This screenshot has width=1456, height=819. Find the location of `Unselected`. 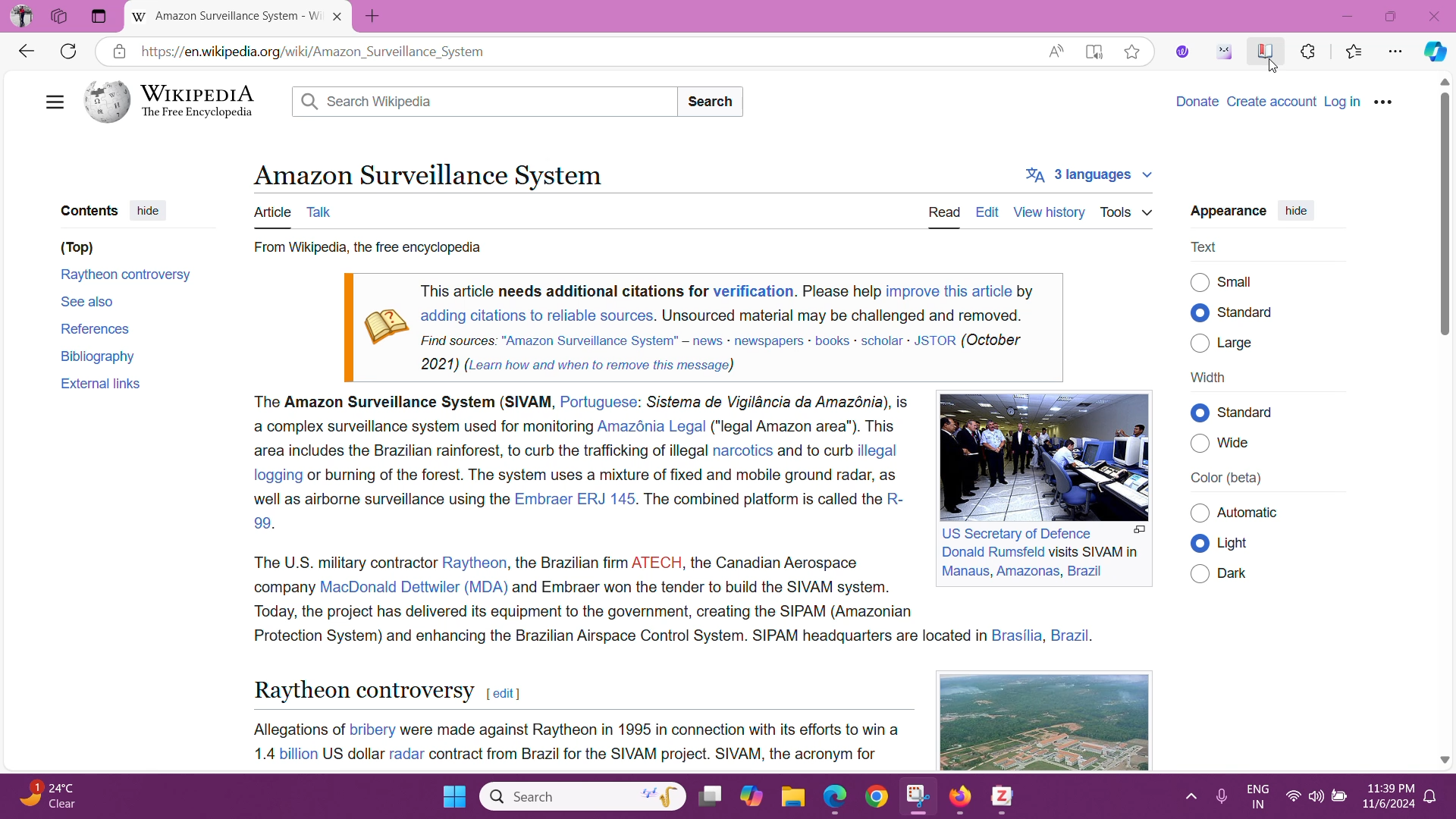

Unselected is located at coordinates (1200, 444).